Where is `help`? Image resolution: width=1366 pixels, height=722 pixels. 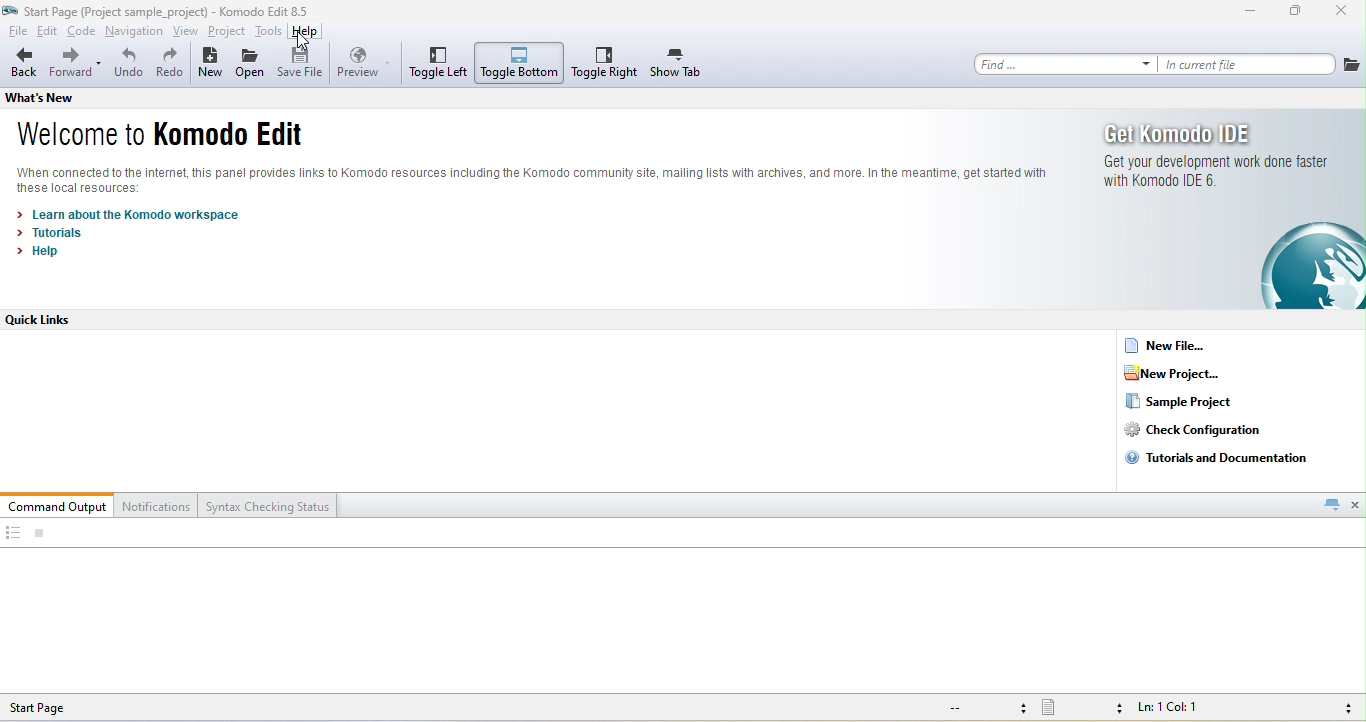
help is located at coordinates (44, 251).